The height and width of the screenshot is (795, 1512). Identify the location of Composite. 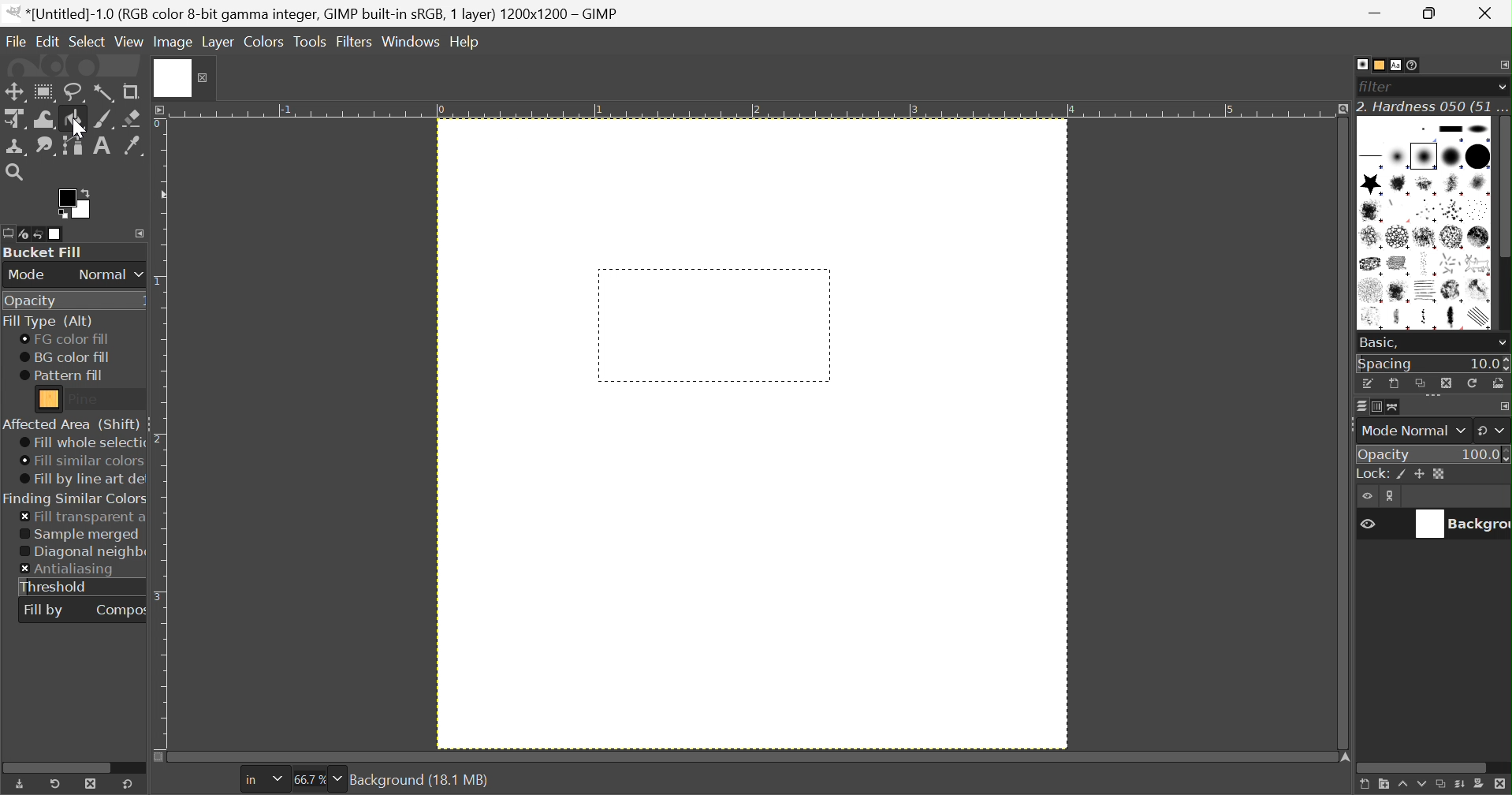
(122, 609).